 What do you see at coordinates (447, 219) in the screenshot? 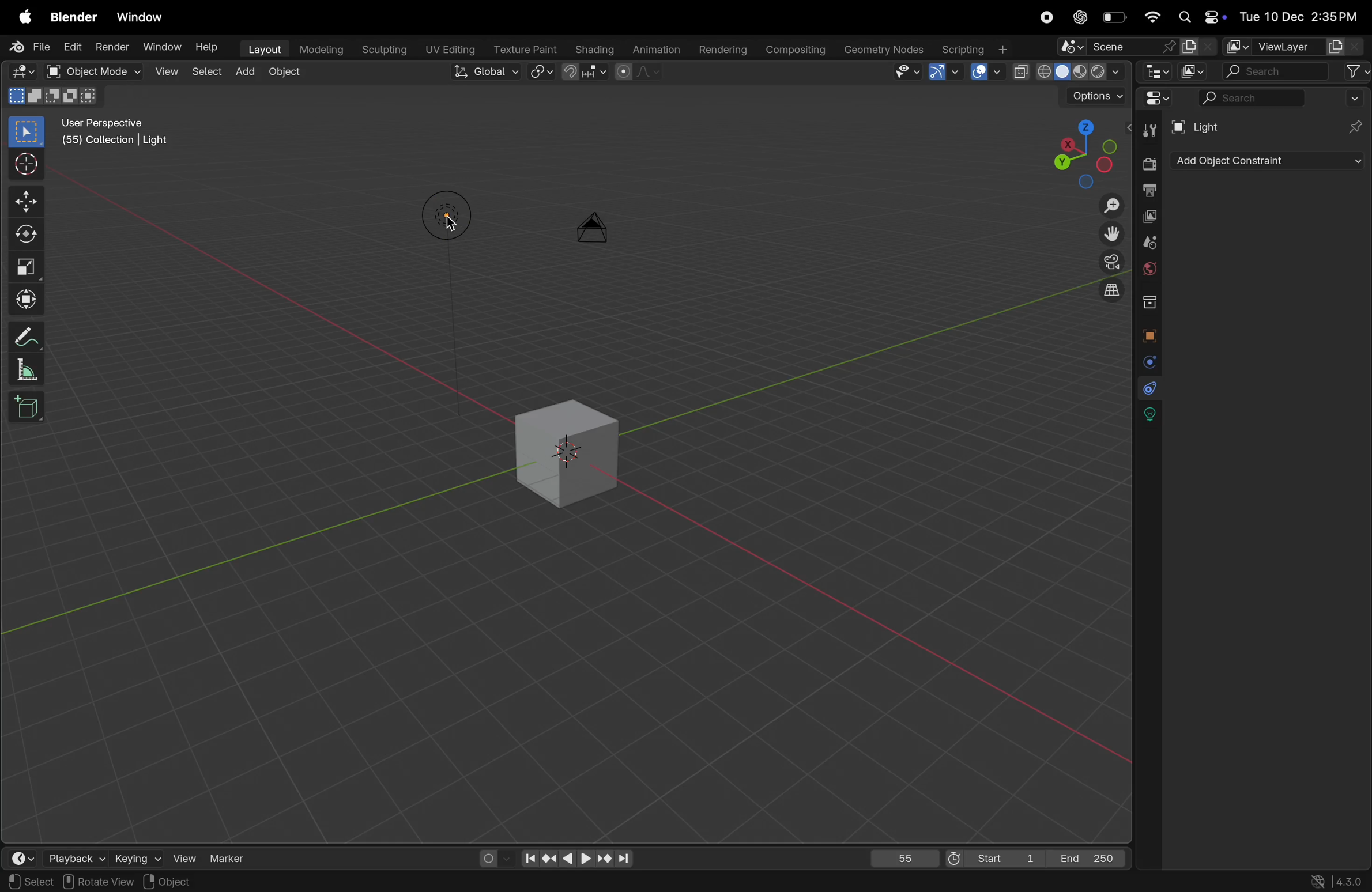
I see `Lights` at bounding box center [447, 219].